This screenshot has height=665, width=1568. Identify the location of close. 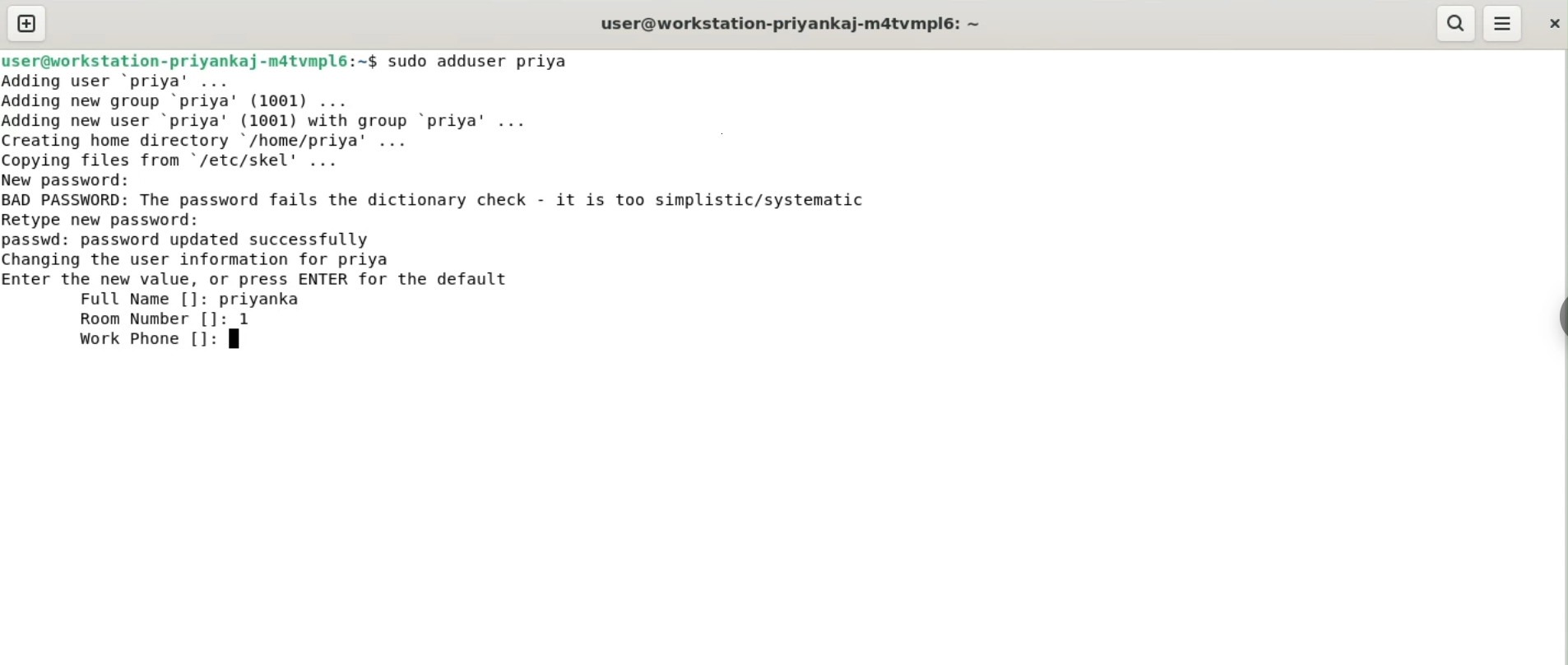
(1552, 19).